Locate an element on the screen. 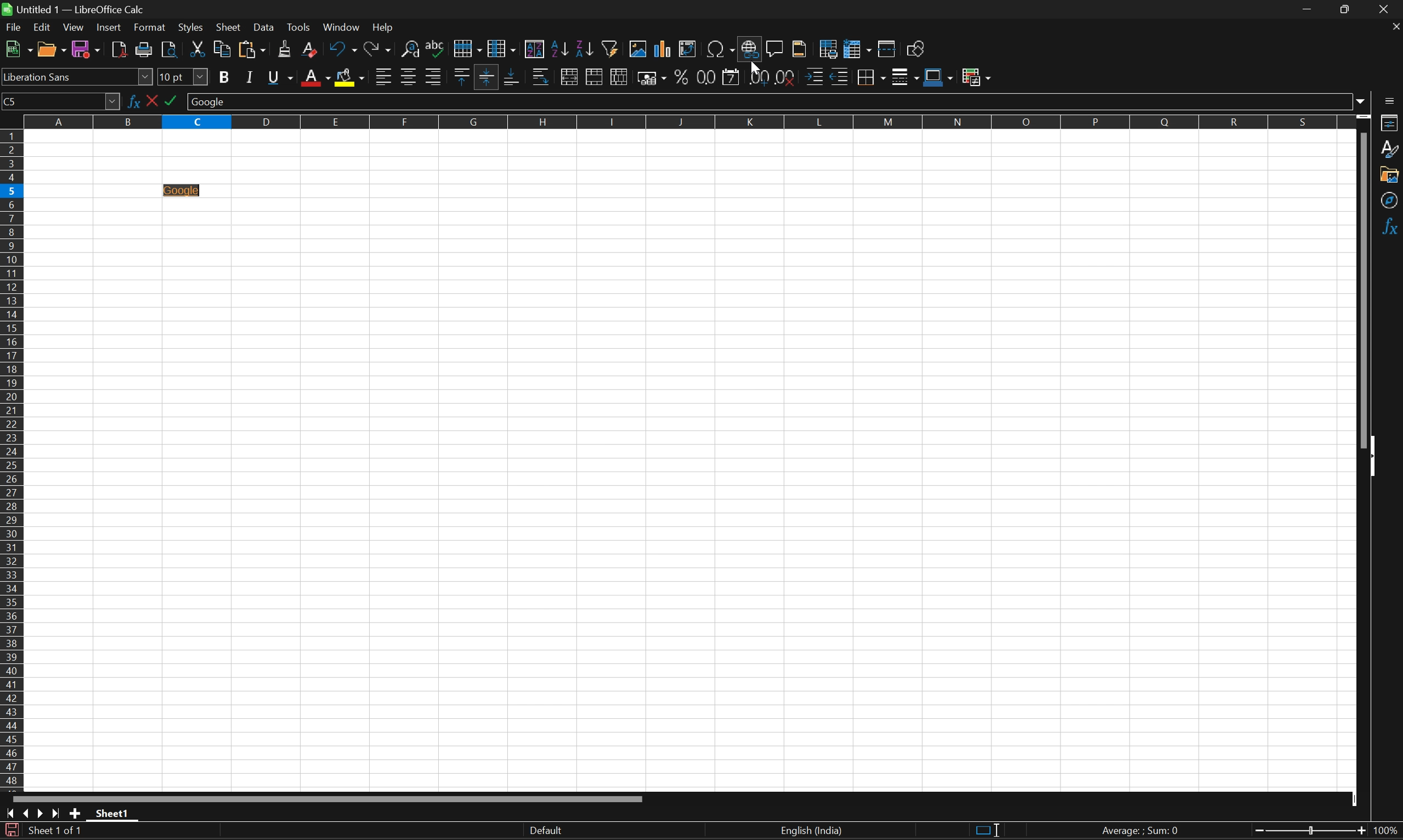 This screenshot has width=1403, height=840. Untitled1 - LibreOffice Calc is located at coordinates (74, 8).